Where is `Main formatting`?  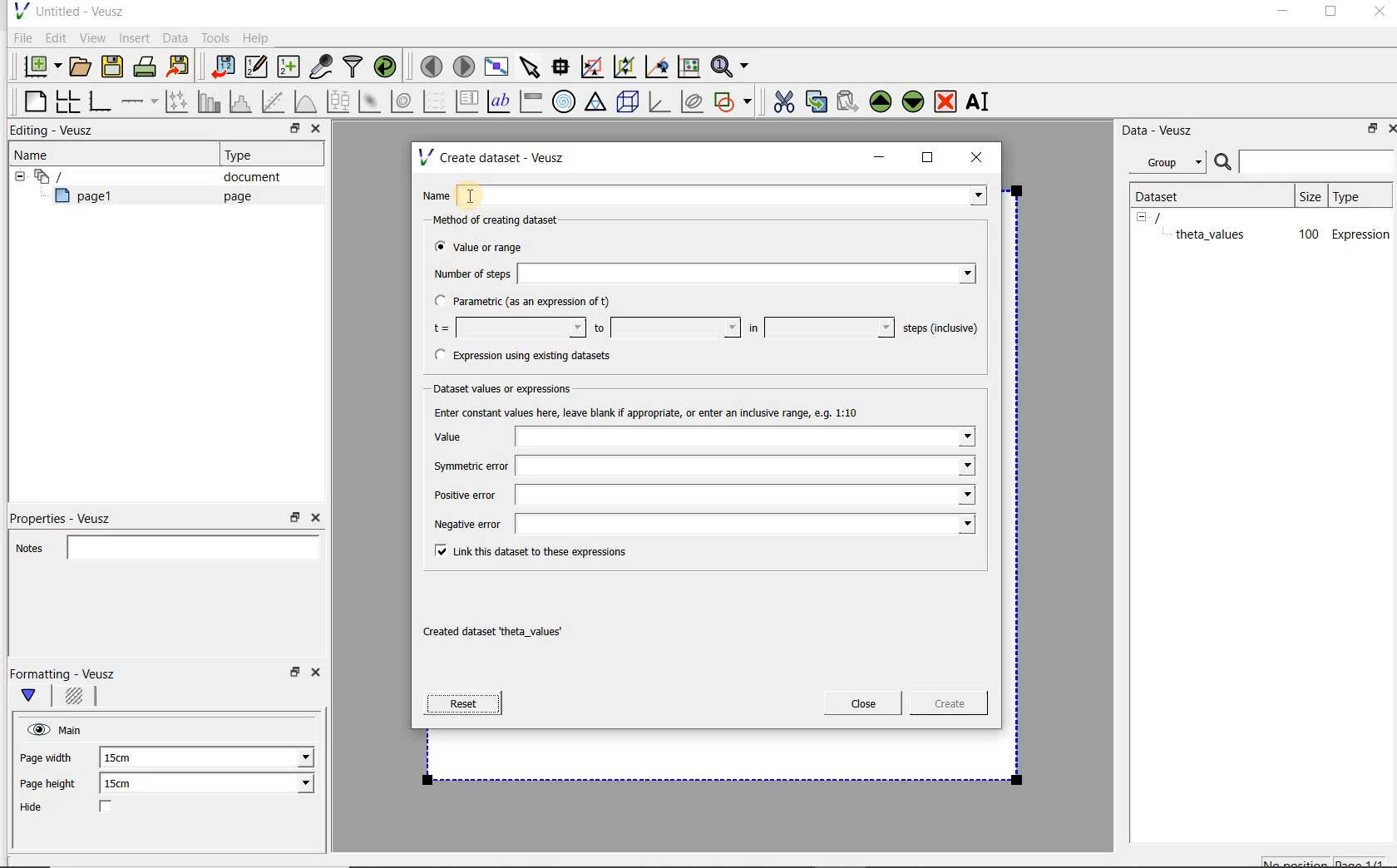 Main formatting is located at coordinates (36, 697).